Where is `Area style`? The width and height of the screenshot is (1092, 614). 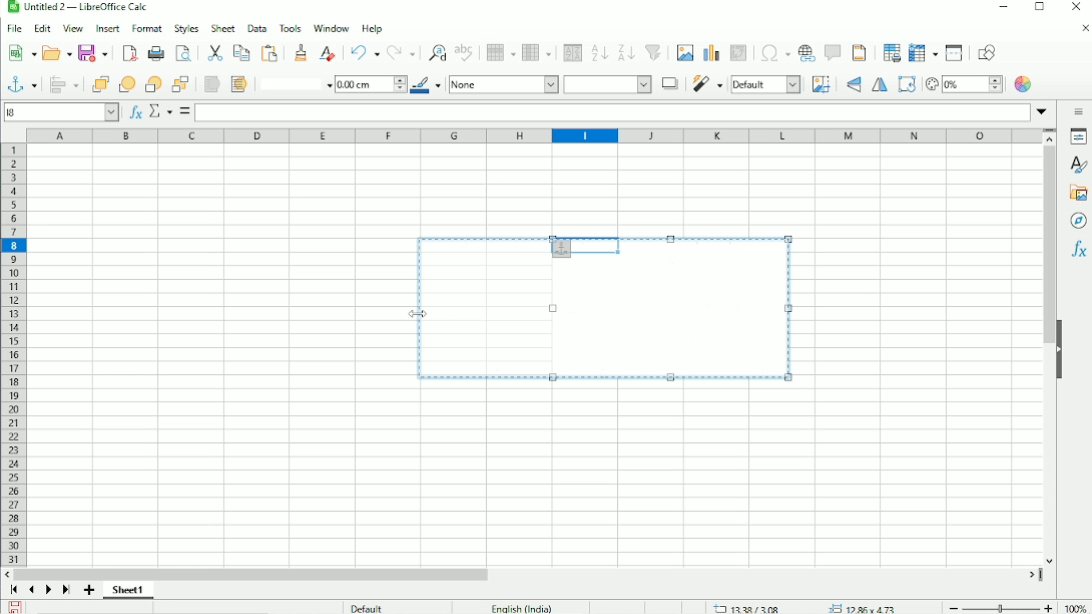
Area style is located at coordinates (550, 85).